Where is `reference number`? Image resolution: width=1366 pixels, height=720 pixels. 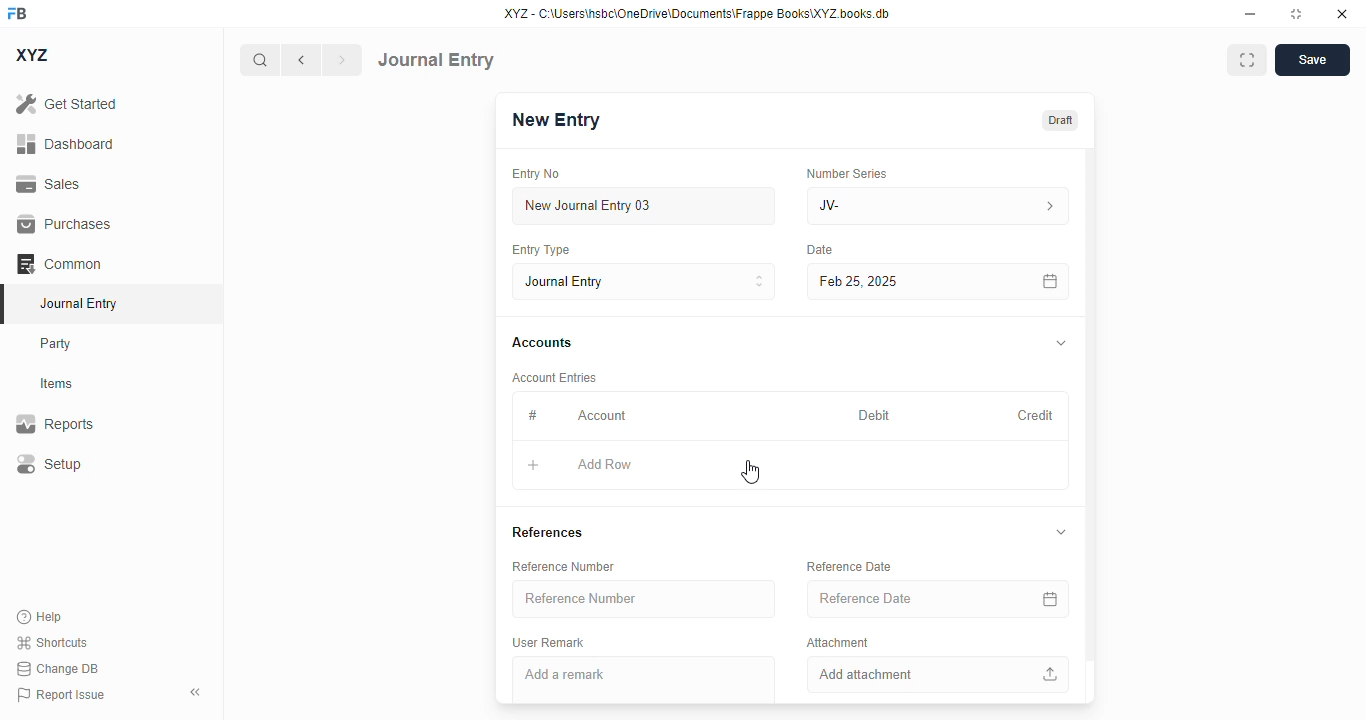
reference number is located at coordinates (643, 598).